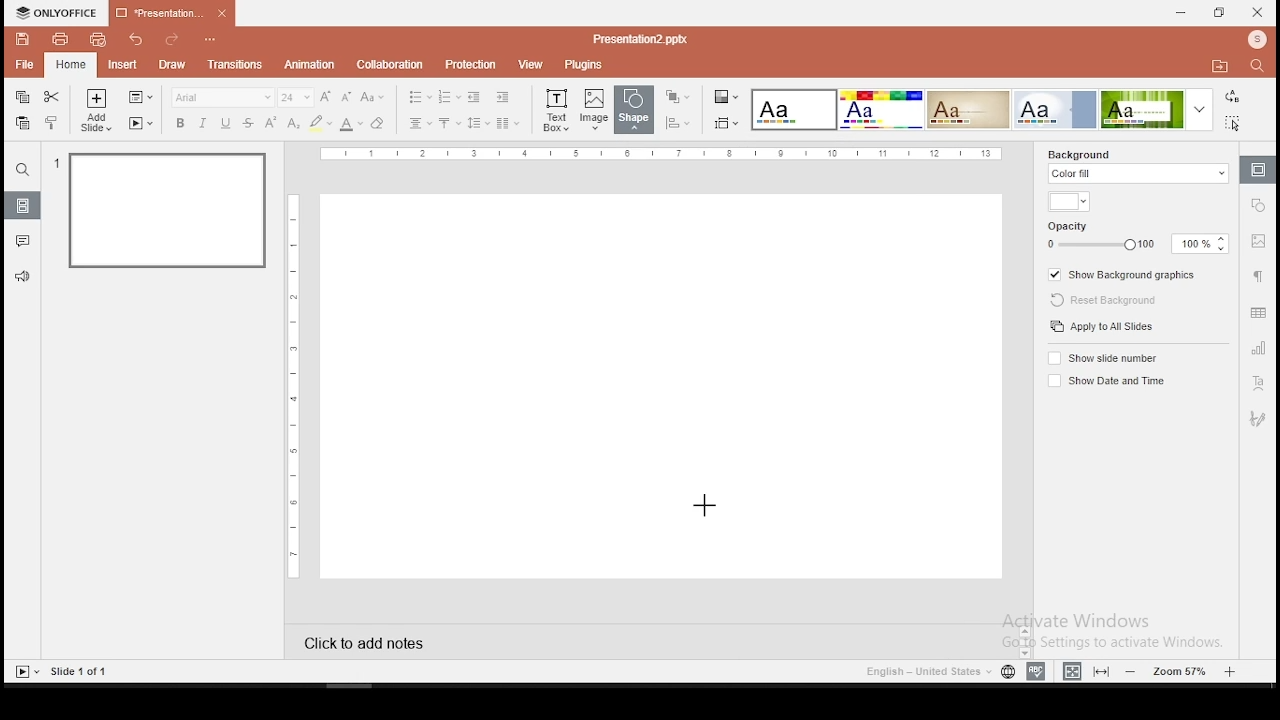 This screenshot has width=1280, height=720. What do you see at coordinates (141, 123) in the screenshot?
I see `start slideshow` at bounding box center [141, 123].